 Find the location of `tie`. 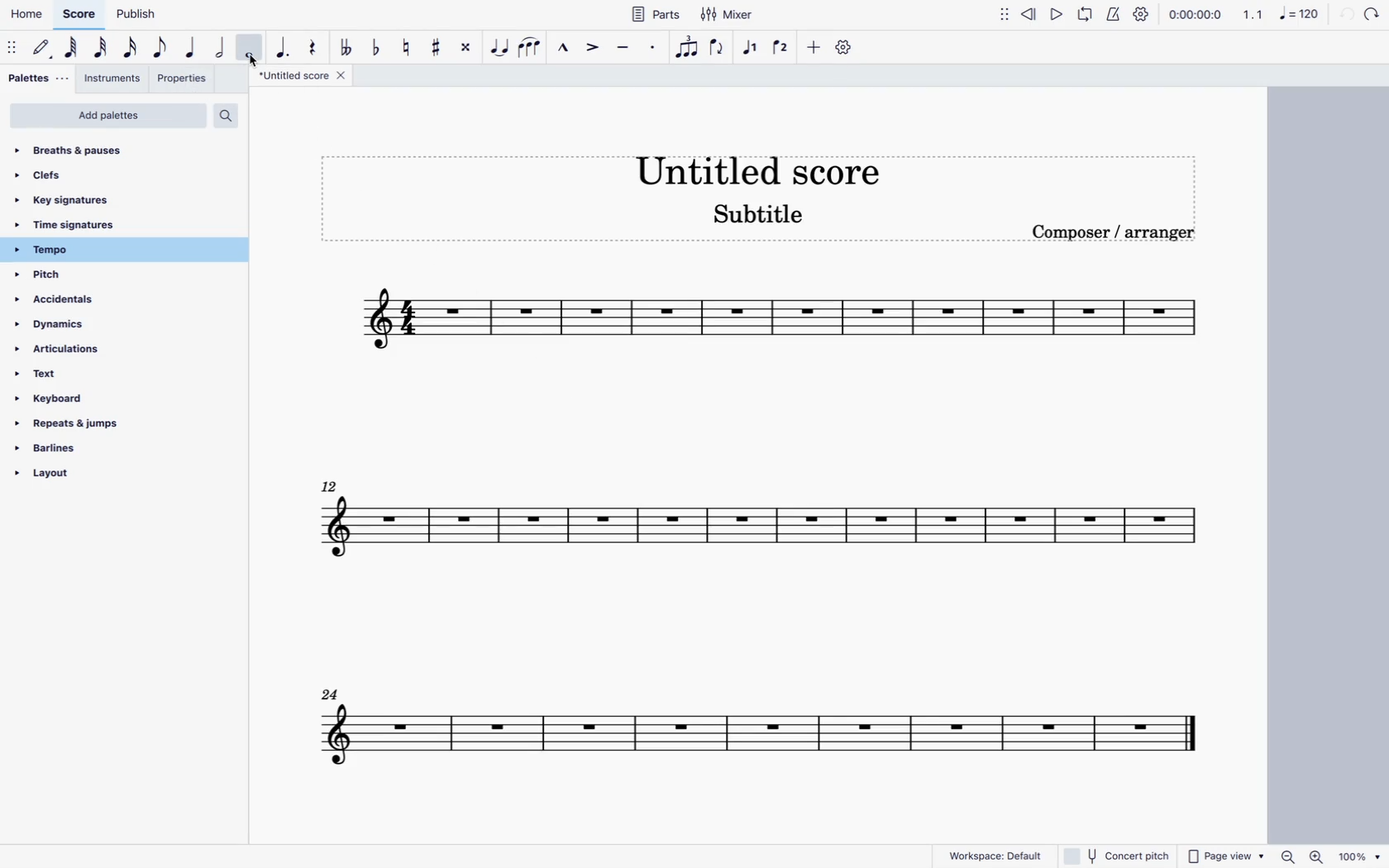

tie is located at coordinates (498, 47).